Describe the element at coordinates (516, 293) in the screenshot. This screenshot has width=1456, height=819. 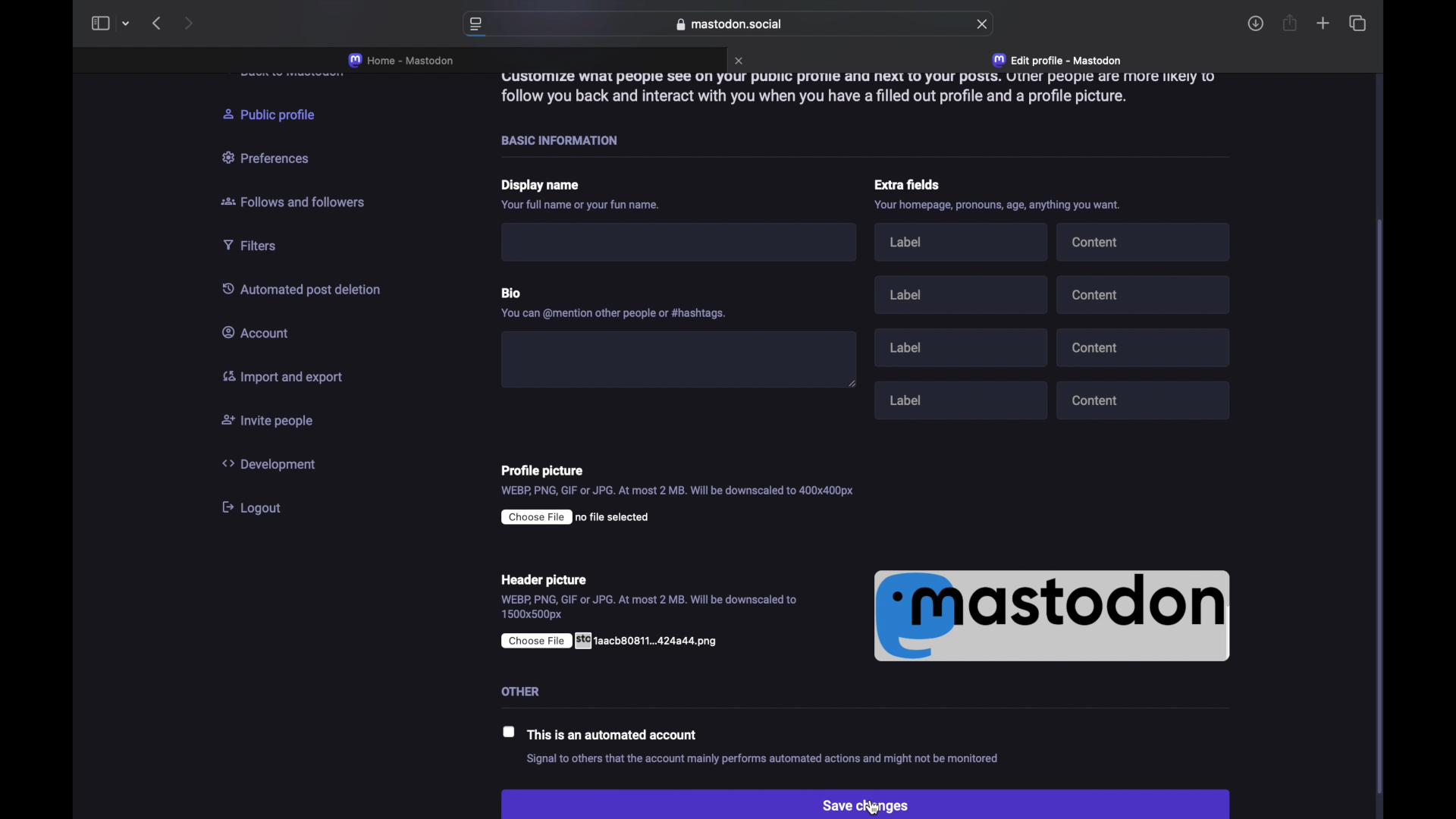
I see `Bio` at that location.